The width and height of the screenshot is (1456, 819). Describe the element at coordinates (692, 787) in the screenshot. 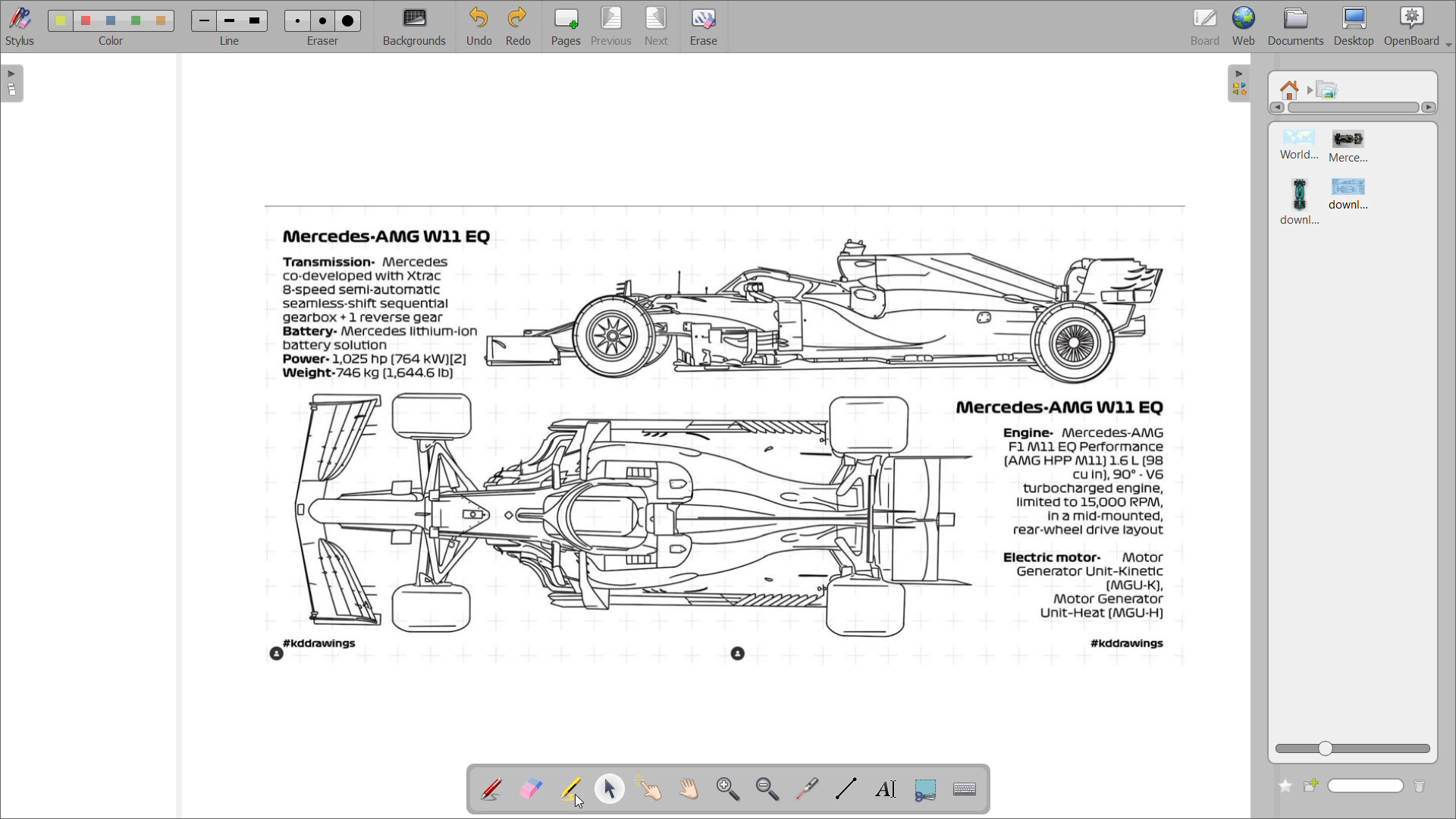

I see `scroll page` at that location.